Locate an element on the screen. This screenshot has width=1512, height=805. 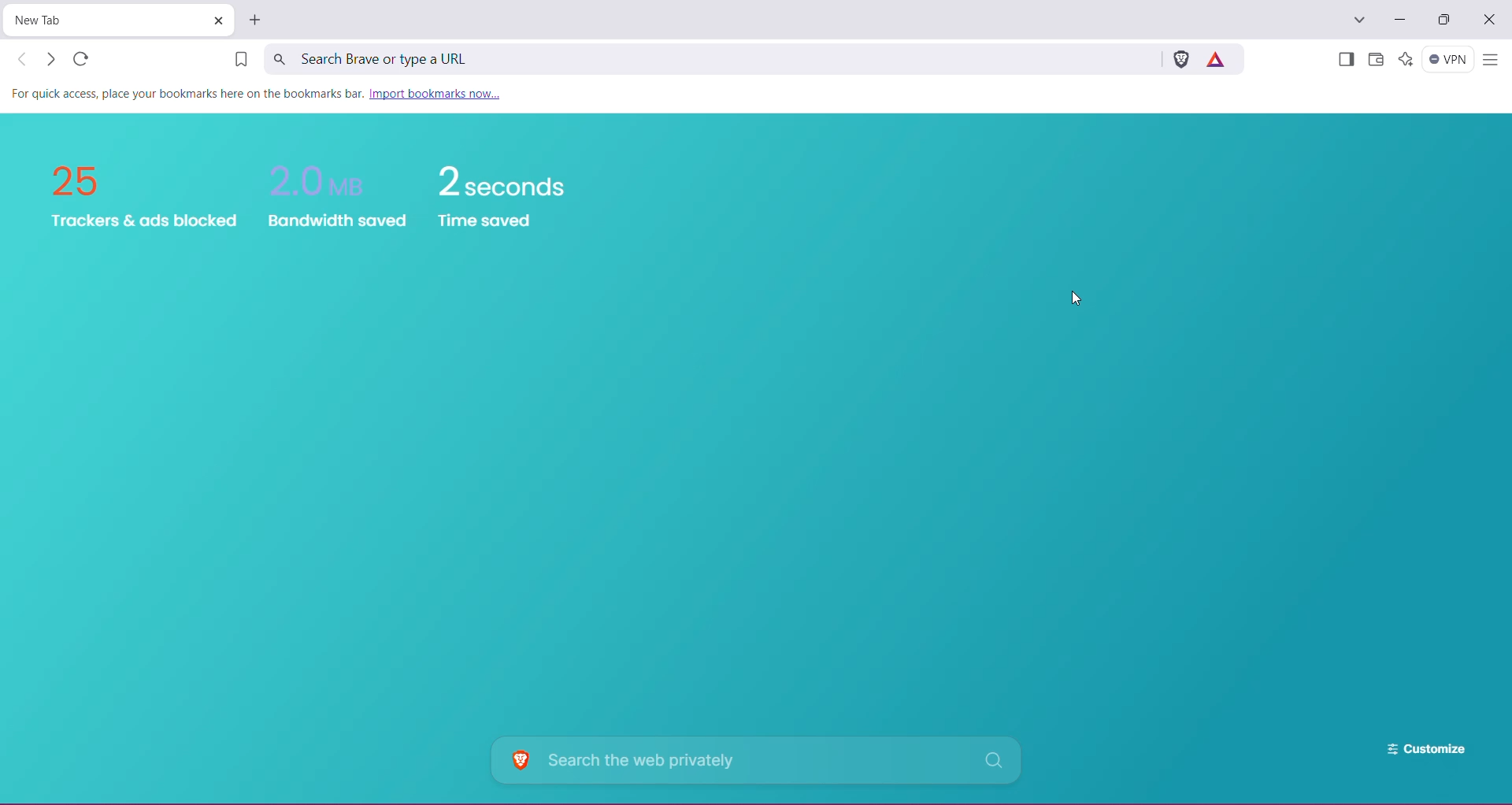
Restore Down is located at coordinates (1447, 20).